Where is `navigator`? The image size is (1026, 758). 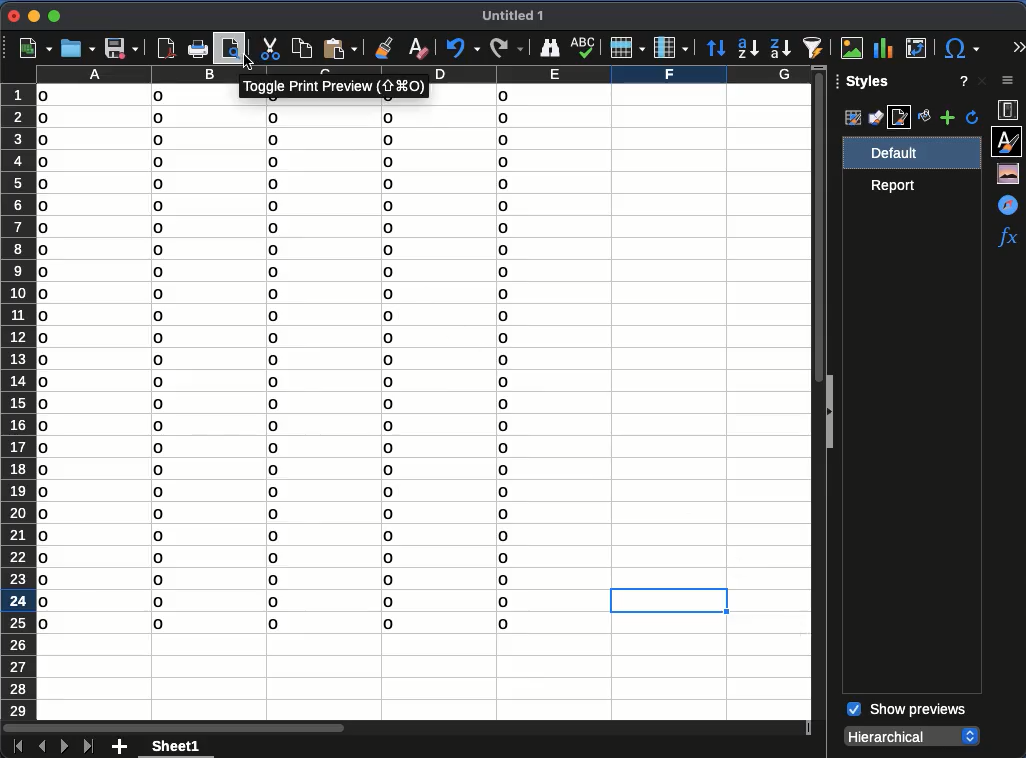
navigator is located at coordinates (1007, 204).